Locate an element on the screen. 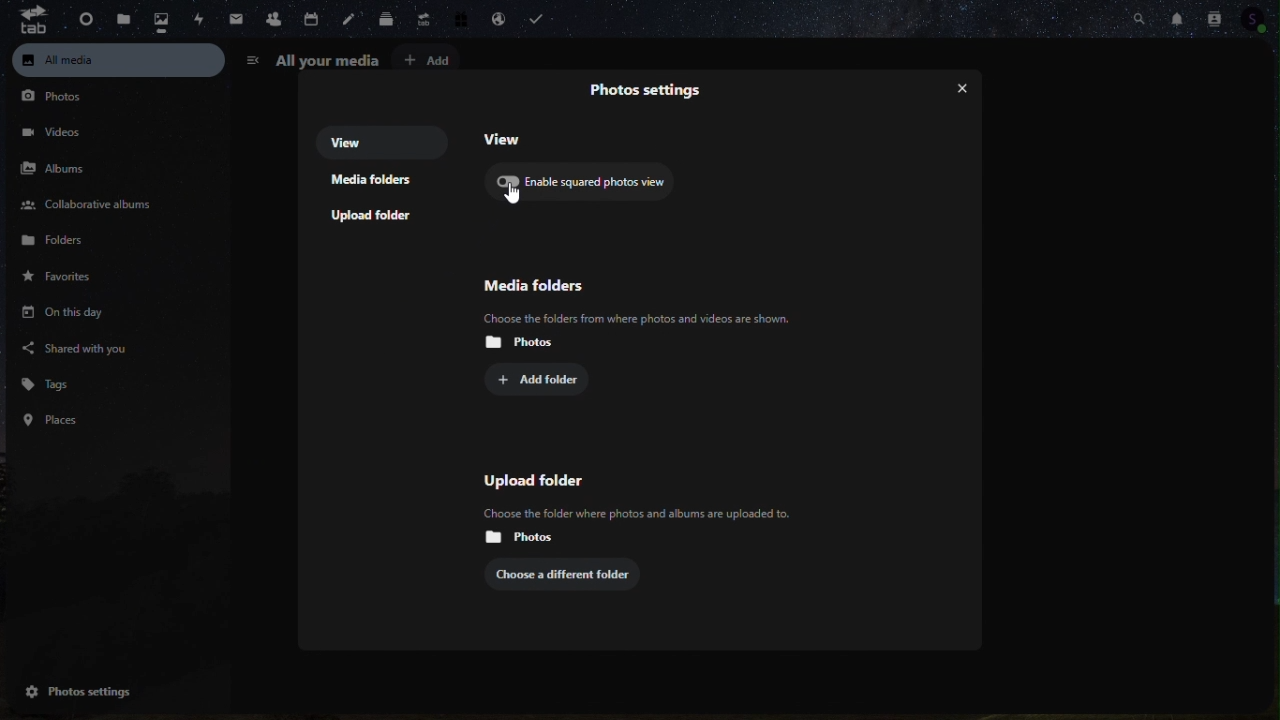 This screenshot has width=1280, height=720. Upgrade is located at coordinates (423, 21).